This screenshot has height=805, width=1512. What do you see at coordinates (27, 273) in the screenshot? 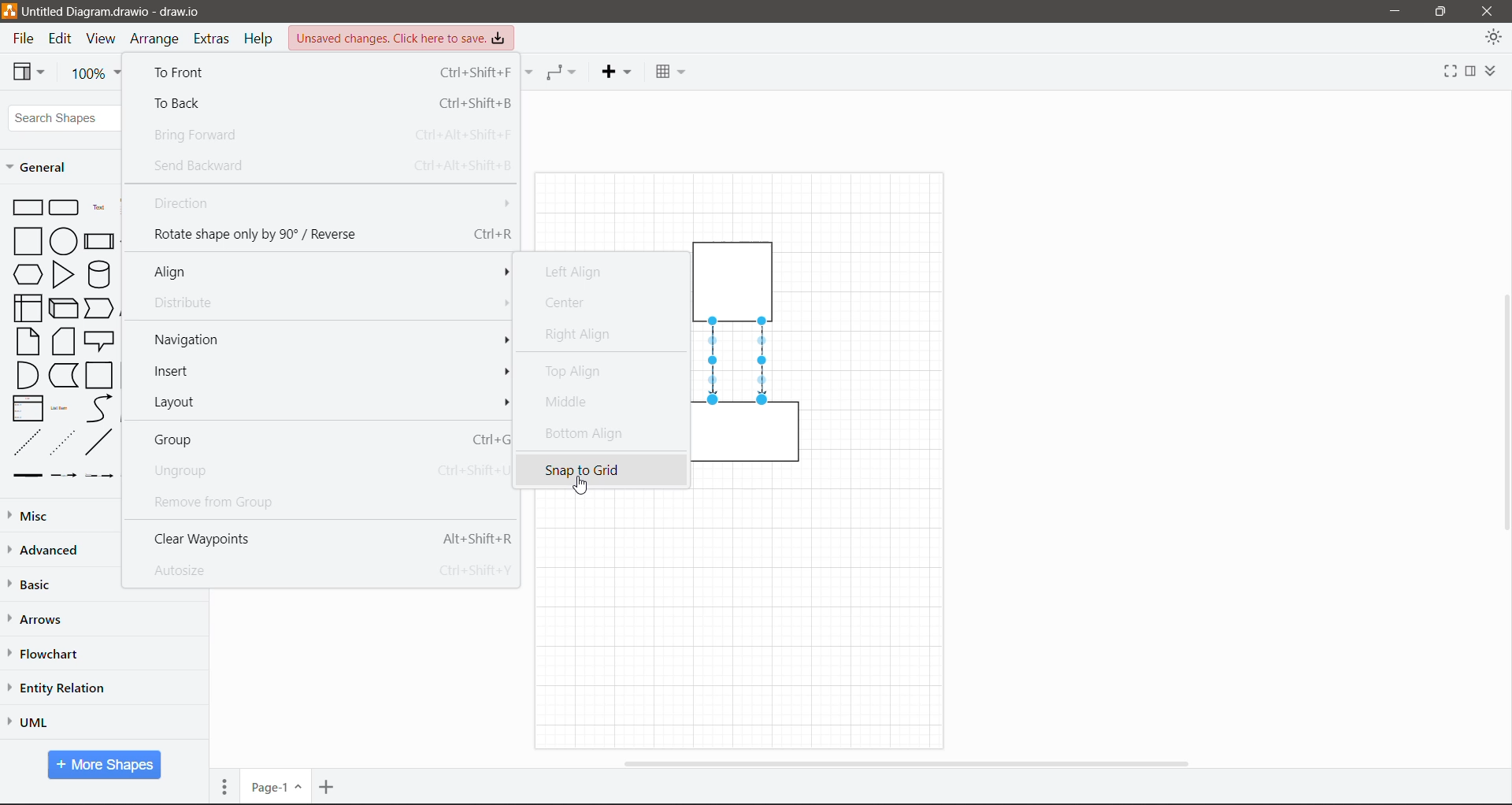
I see `Hexagon` at bounding box center [27, 273].